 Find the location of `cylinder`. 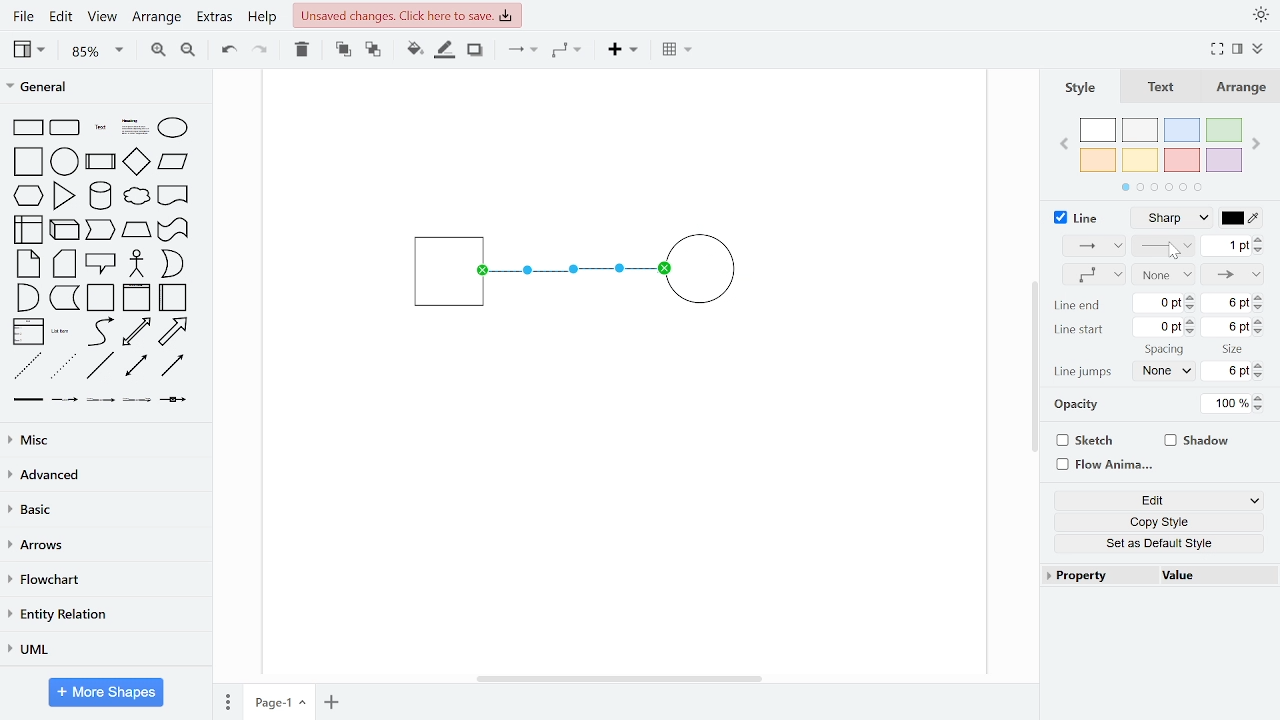

cylinder is located at coordinates (102, 197).